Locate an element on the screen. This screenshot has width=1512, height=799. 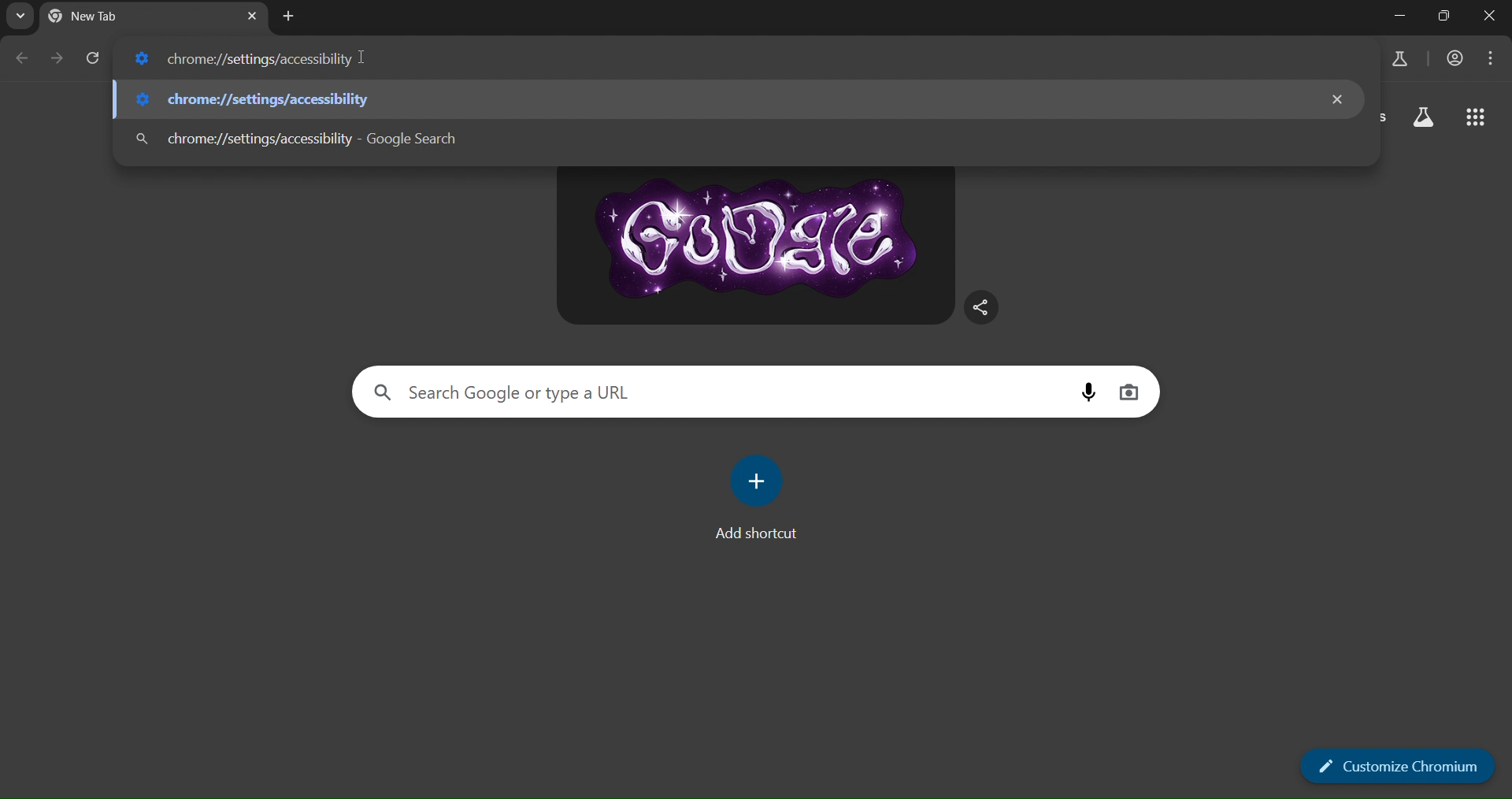
google is located at coordinates (758, 238).